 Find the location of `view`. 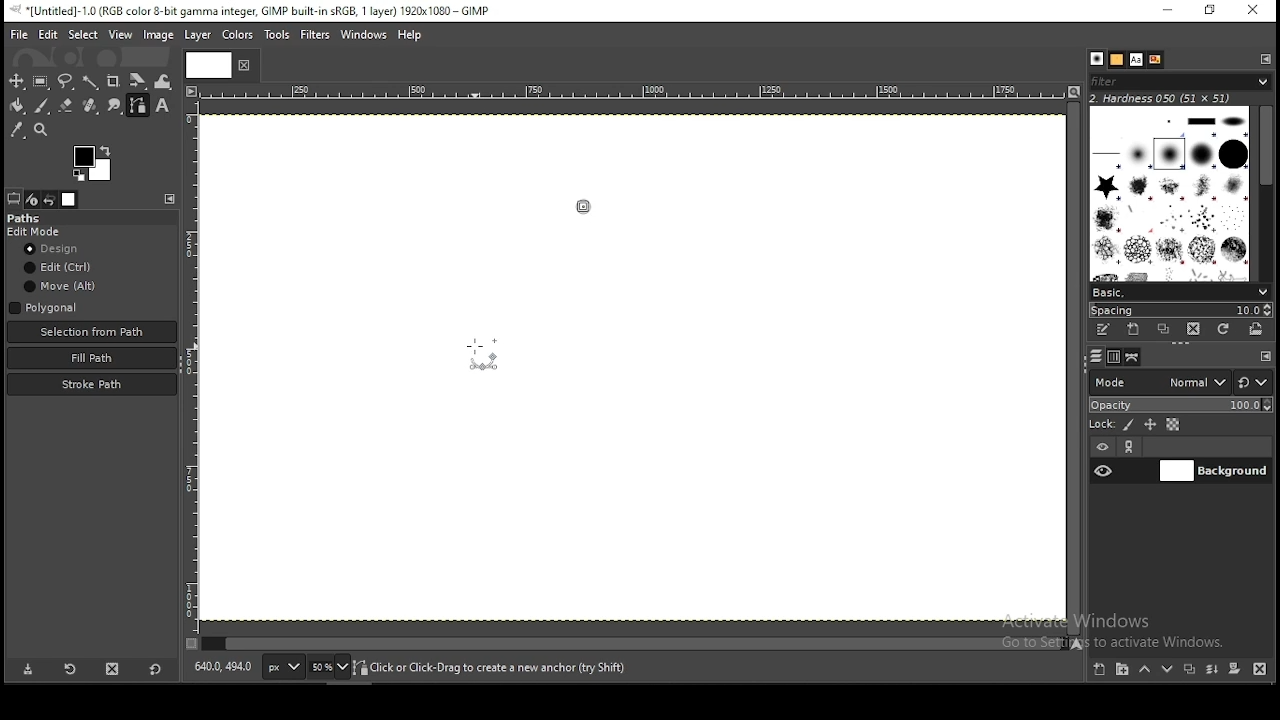

view is located at coordinates (121, 33).